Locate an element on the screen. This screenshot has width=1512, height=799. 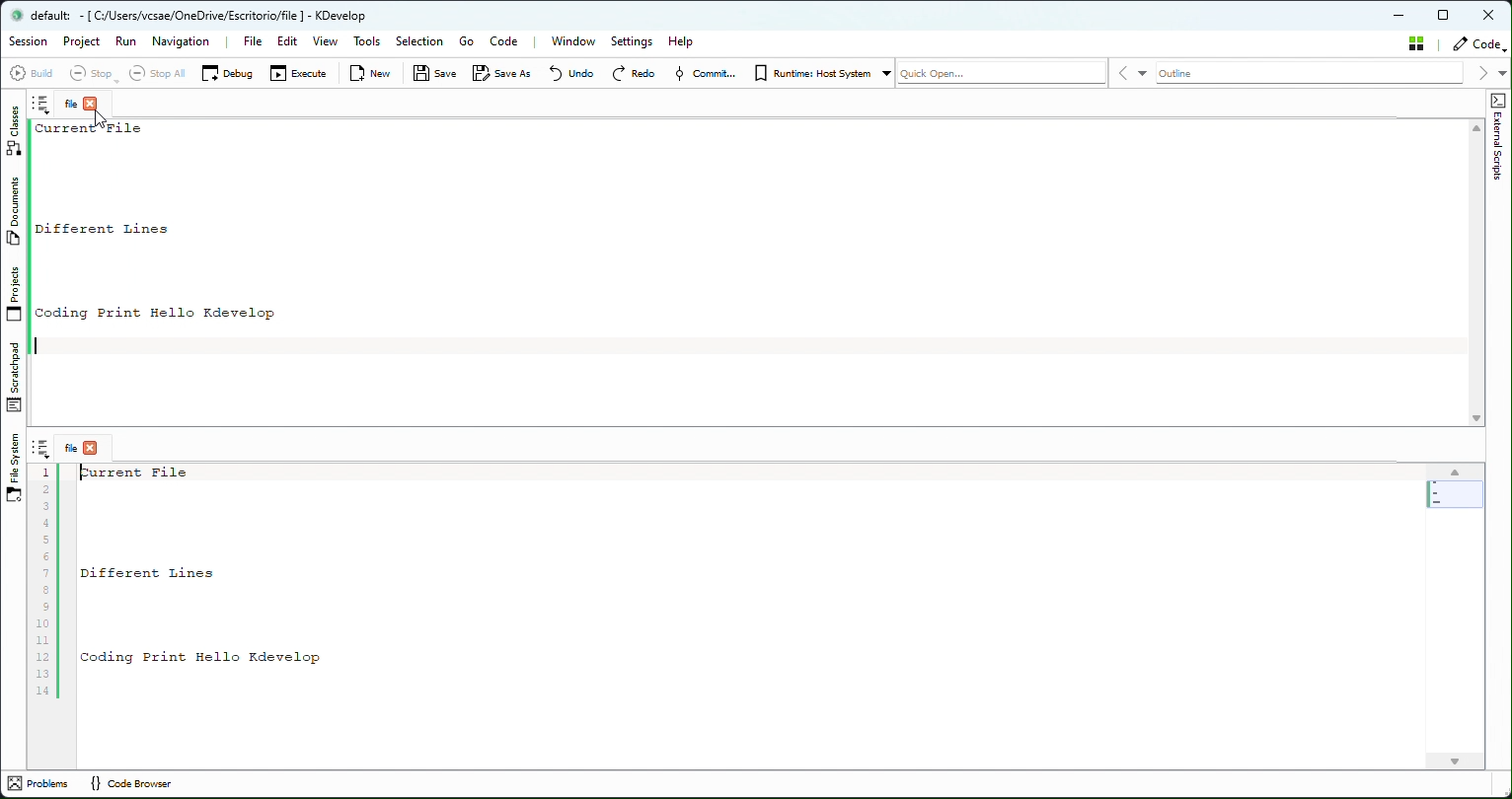
Commit is located at coordinates (707, 74).